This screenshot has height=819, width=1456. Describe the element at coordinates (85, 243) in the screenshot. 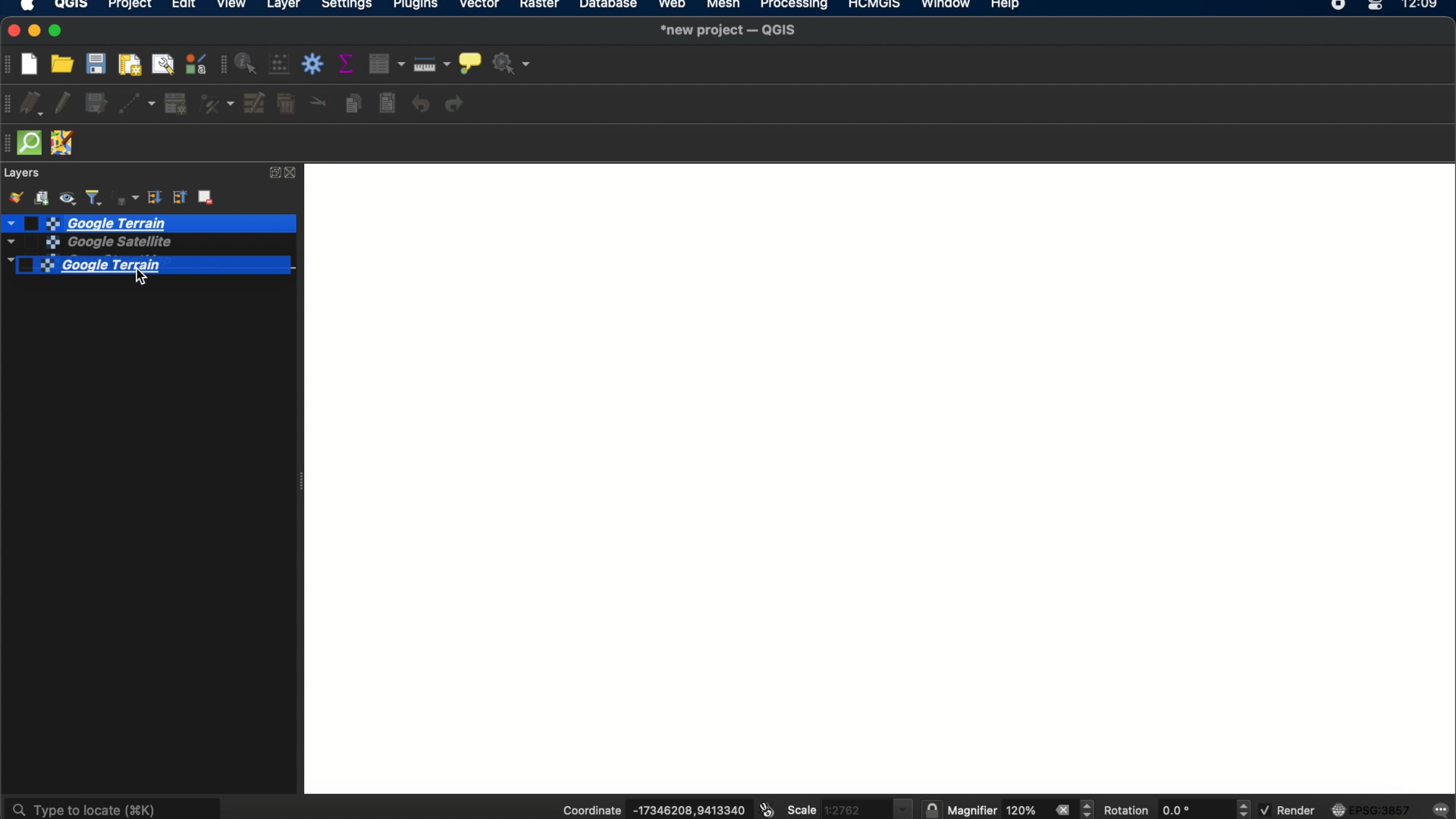

I see `google satellite` at that location.